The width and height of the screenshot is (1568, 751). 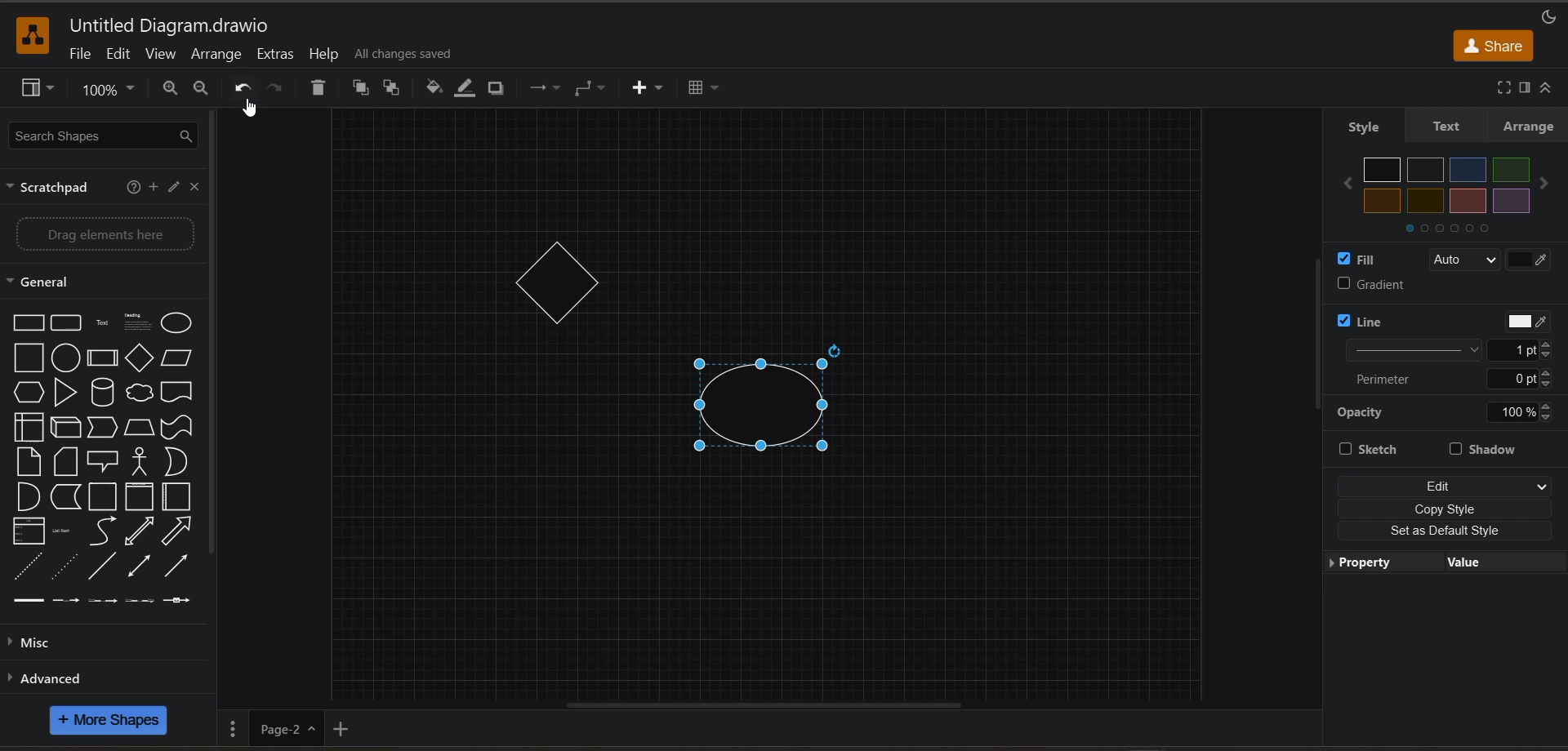 I want to click on Dotted Line, so click(x=67, y=566).